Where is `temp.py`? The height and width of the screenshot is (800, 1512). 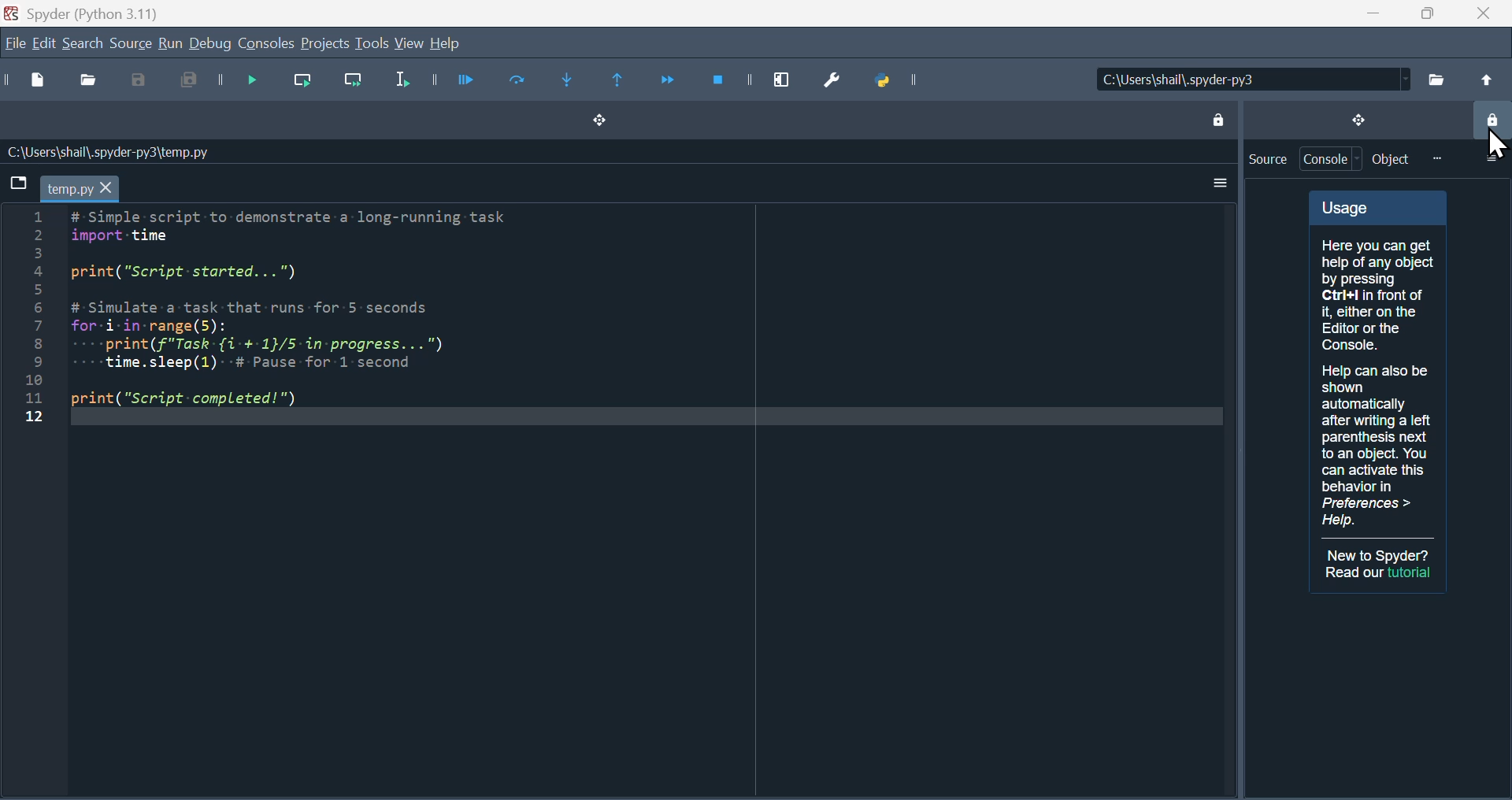 temp.py is located at coordinates (80, 188).